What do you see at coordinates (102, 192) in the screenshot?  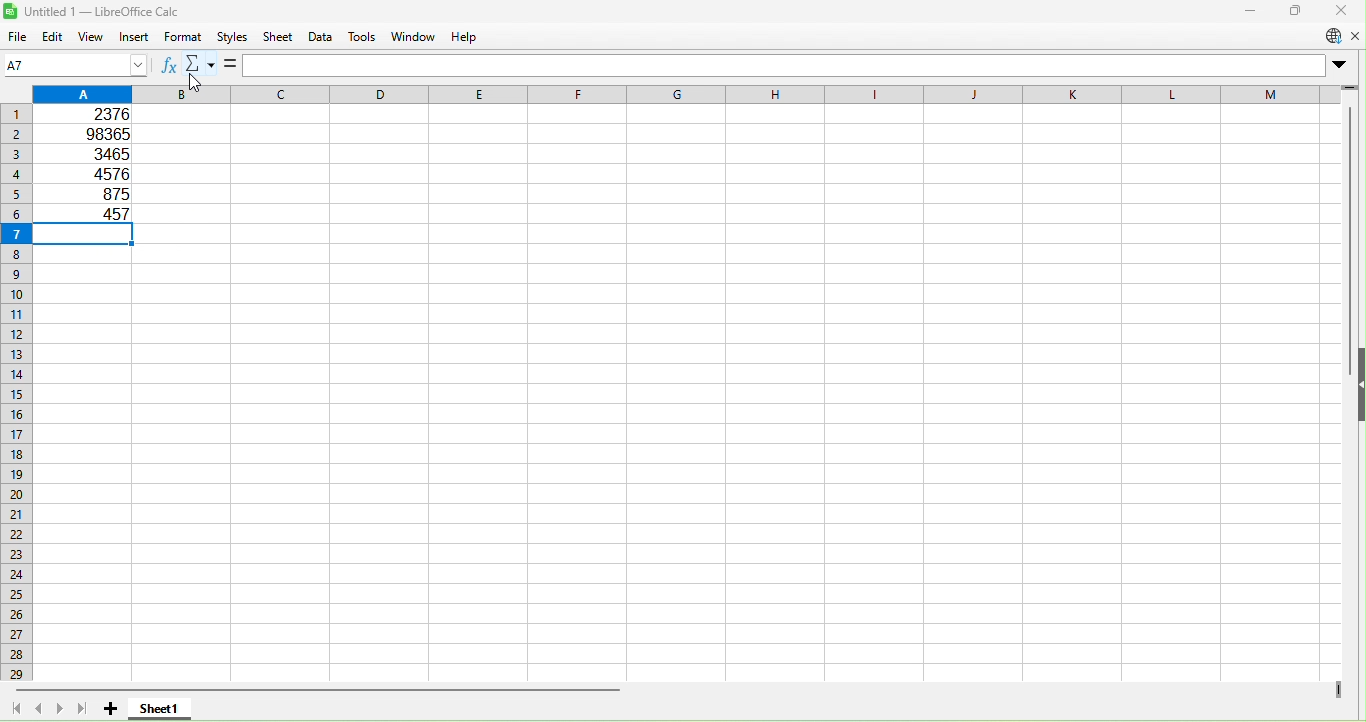 I see `875` at bounding box center [102, 192].